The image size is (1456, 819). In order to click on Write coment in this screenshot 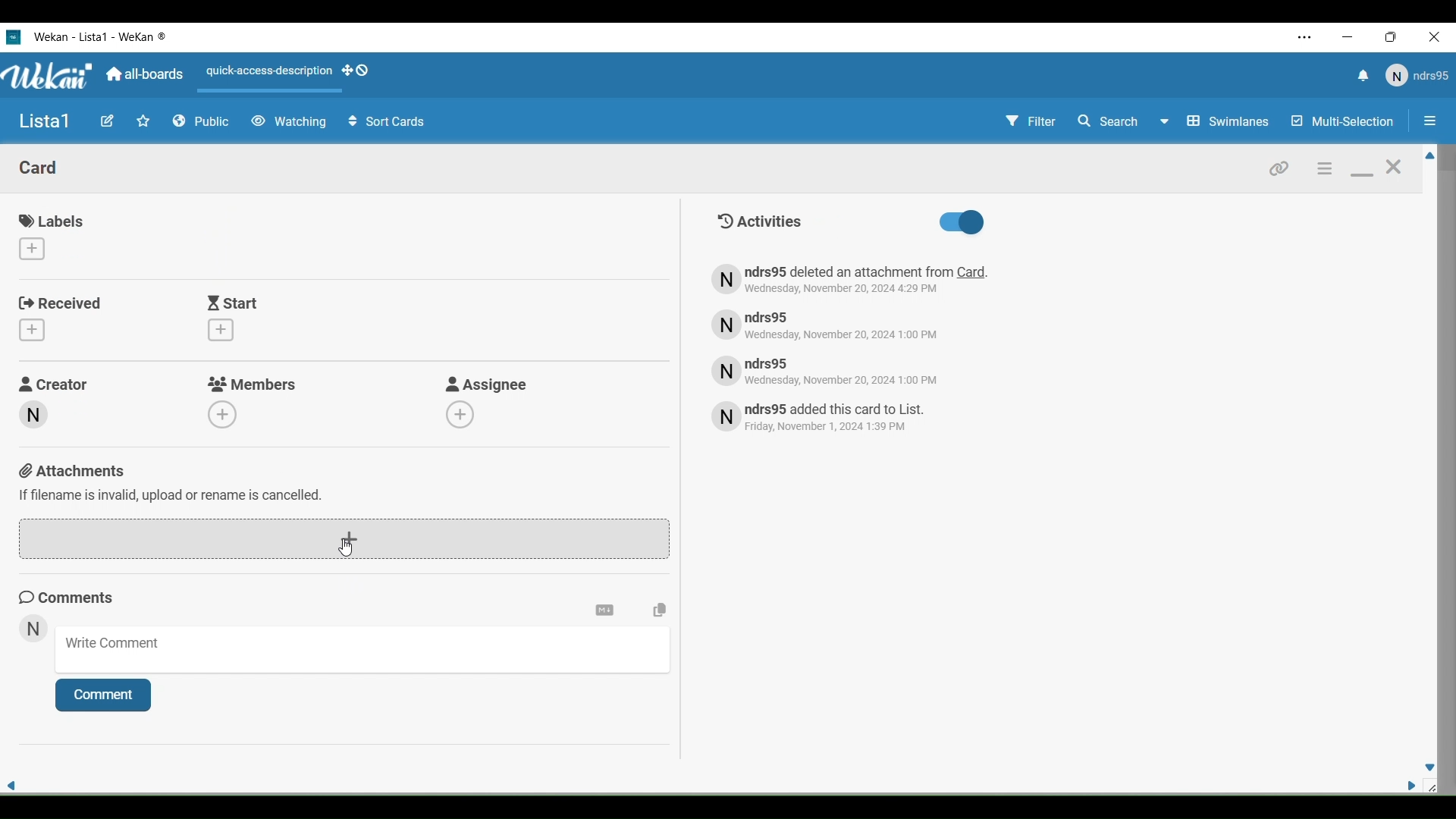, I will do `click(369, 653)`.